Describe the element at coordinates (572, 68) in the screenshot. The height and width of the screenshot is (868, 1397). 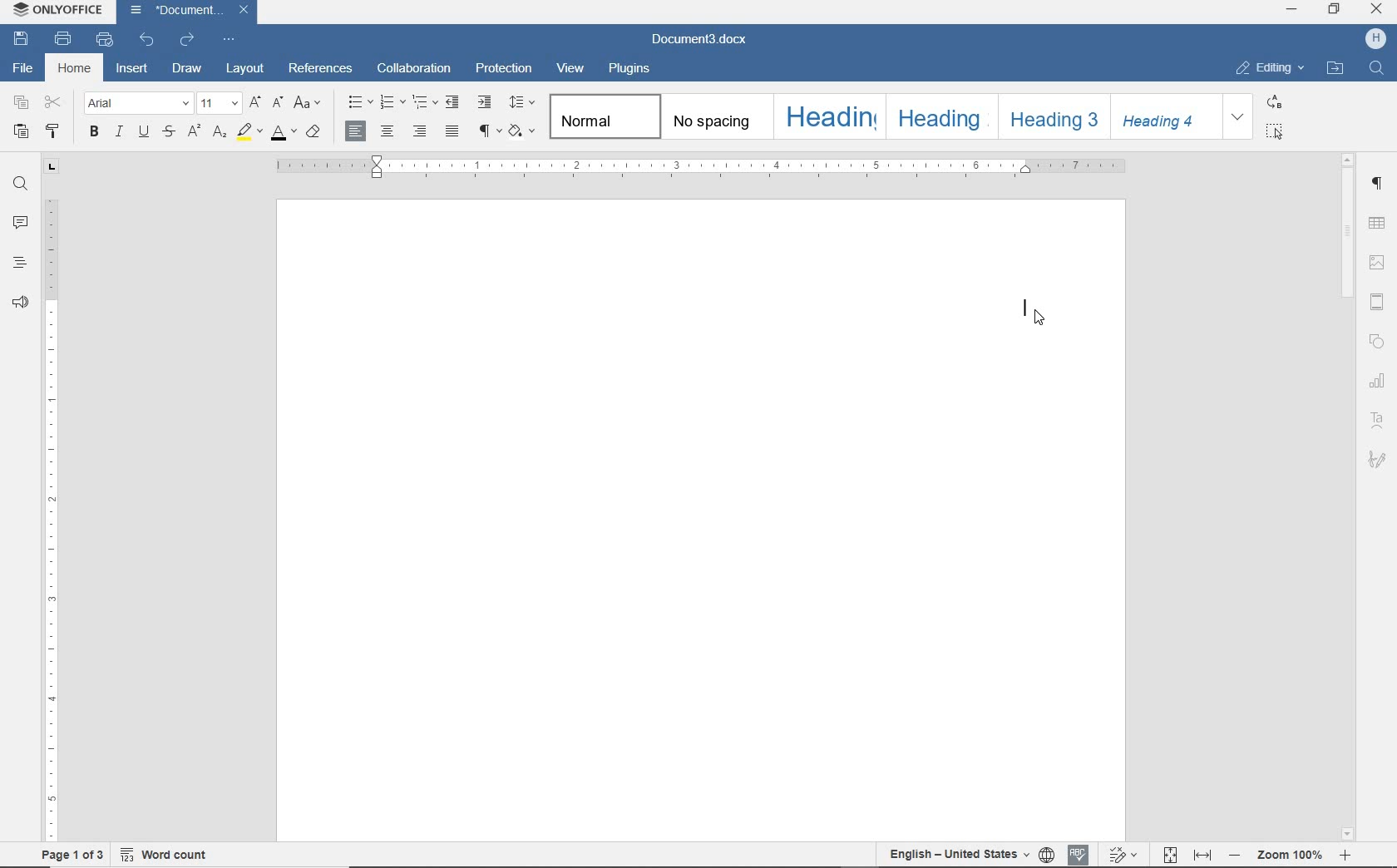
I see `VIEW` at that location.